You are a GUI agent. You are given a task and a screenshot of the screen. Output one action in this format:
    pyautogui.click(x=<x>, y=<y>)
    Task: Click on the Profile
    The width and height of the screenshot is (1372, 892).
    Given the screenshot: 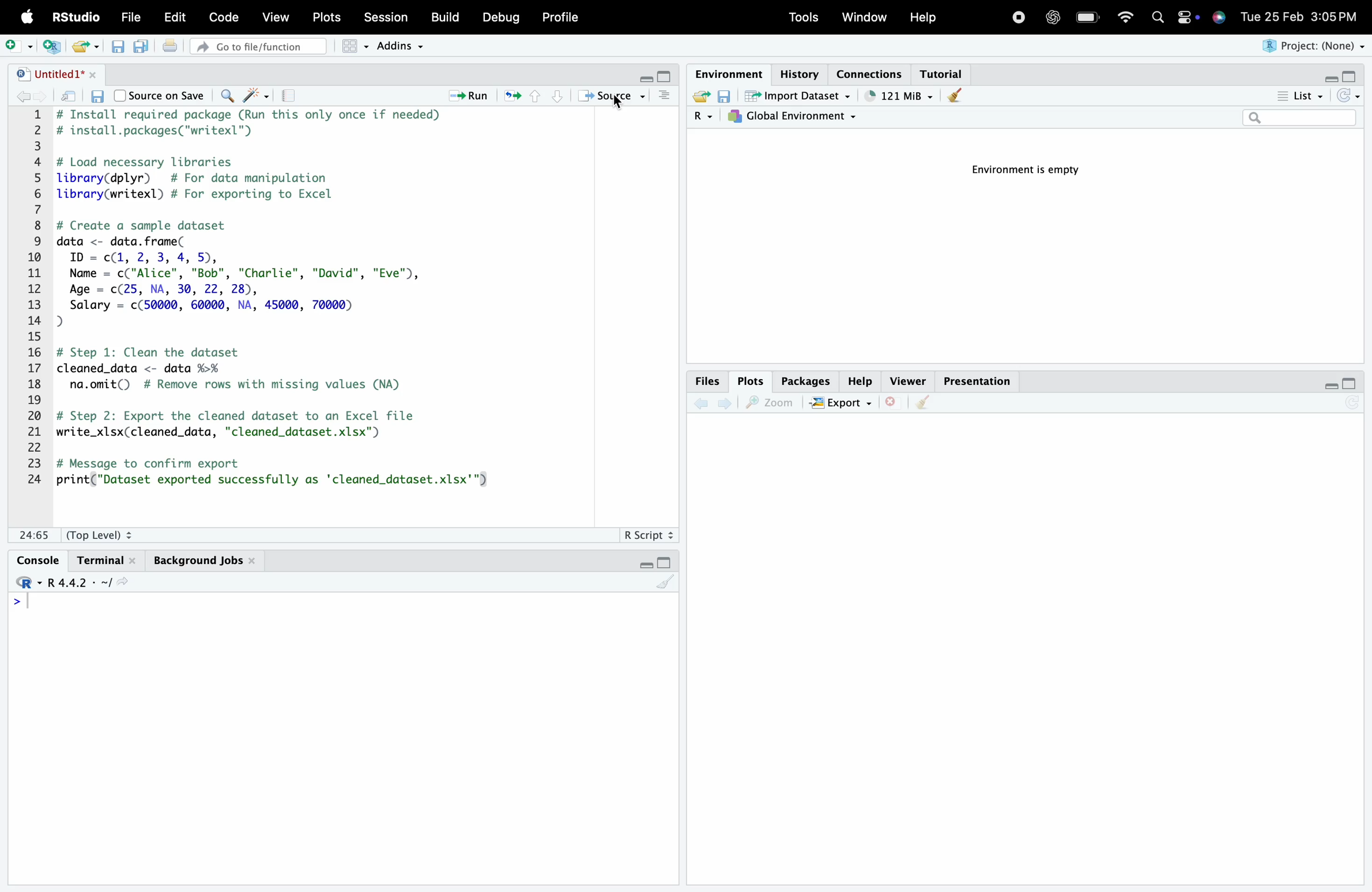 What is the action you would take?
    pyautogui.click(x=560, y=18)
    